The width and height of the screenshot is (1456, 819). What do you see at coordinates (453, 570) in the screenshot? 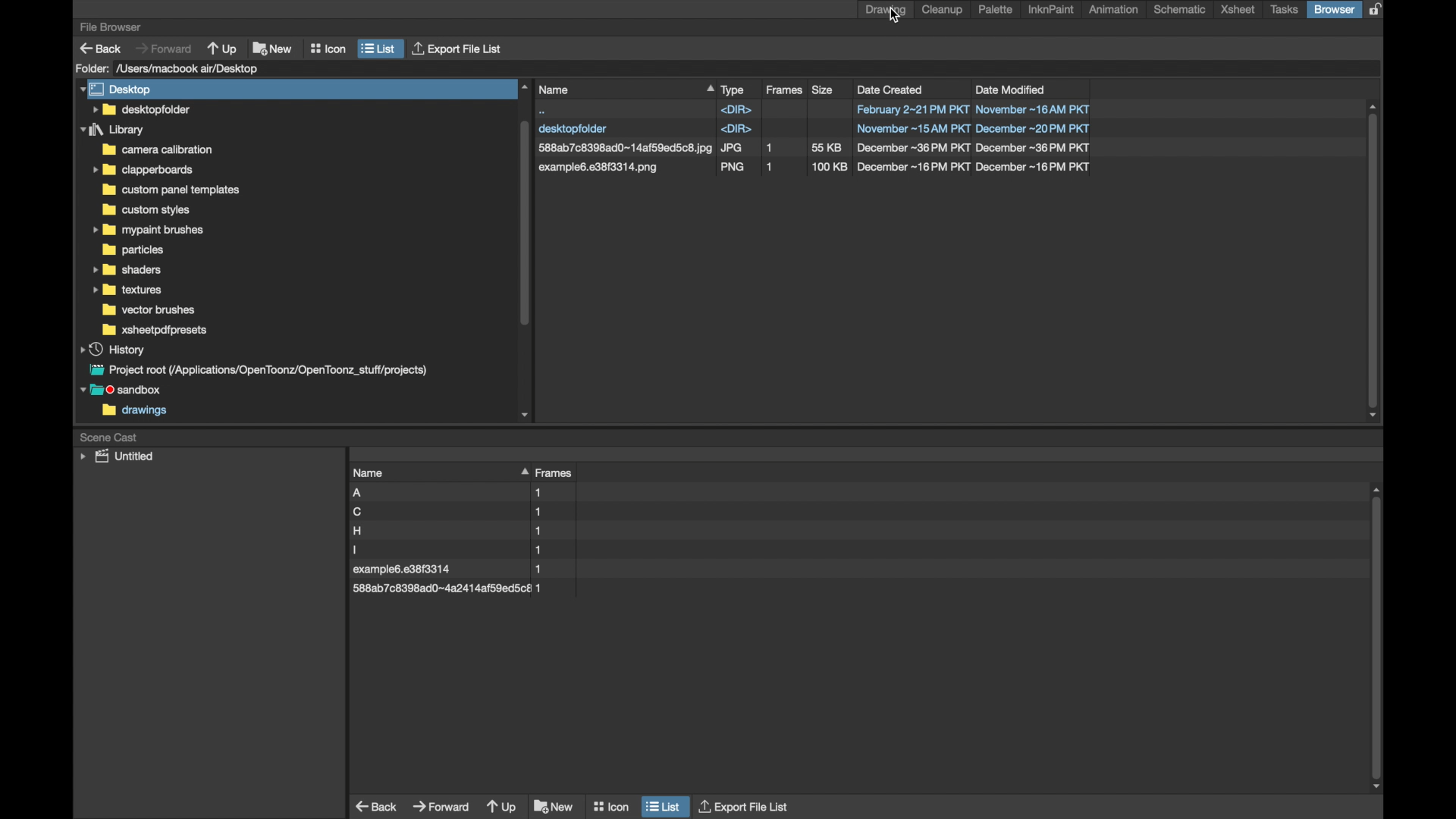
I see `file` at bounding box center [453, 570].